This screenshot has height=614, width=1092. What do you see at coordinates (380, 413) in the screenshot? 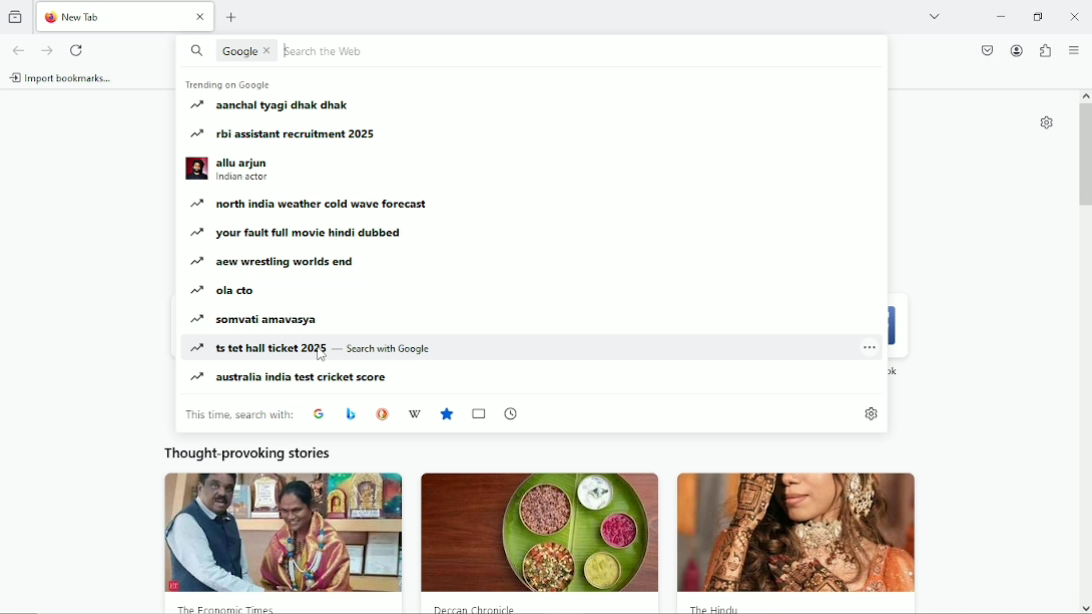
I see `Duck duck go` at bounding box center [380, 413].